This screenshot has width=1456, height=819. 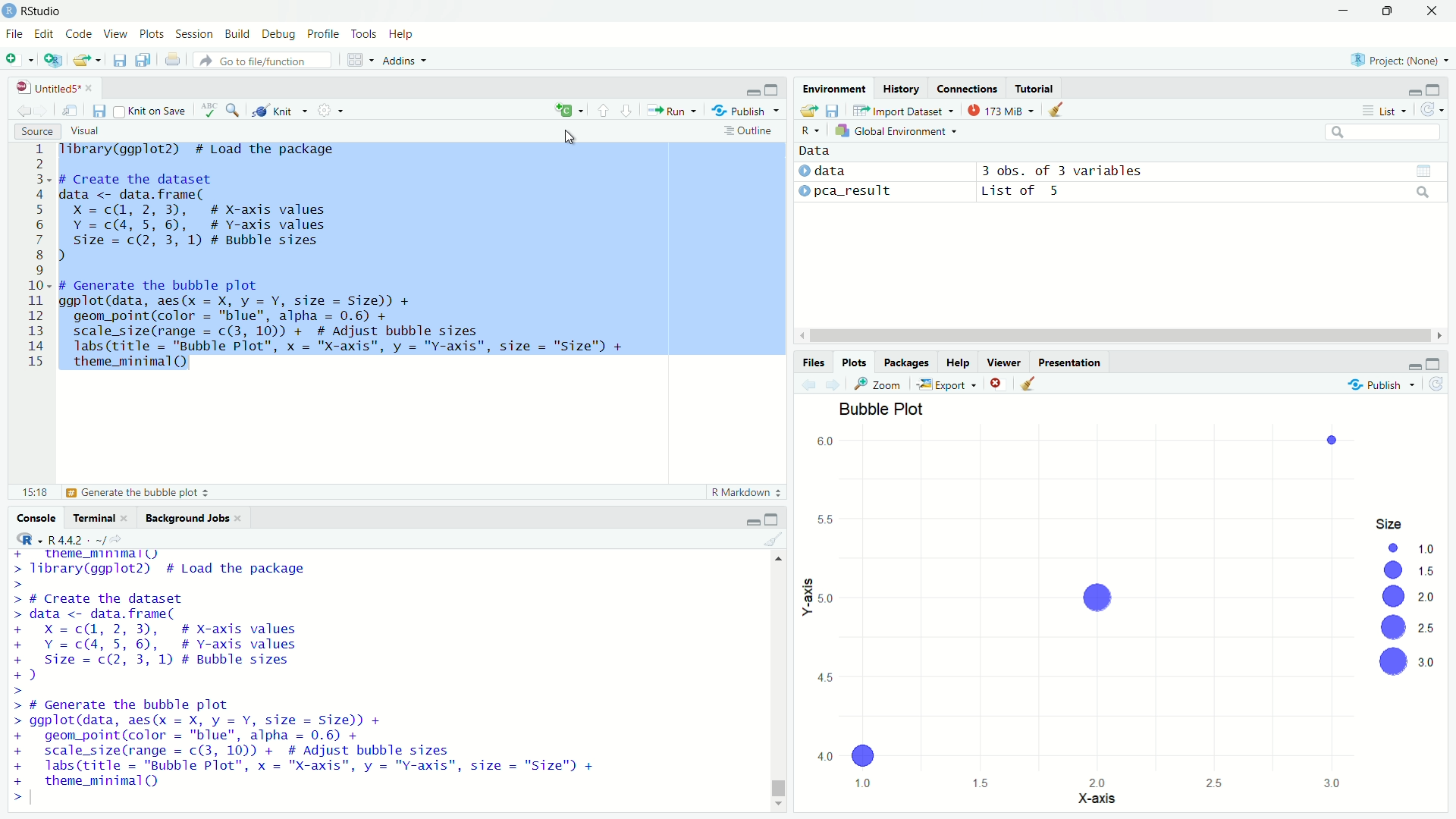 What do you see at coordinates (325, 35) in the screenshot?
I see `profile` at bounding box center [325, 35].